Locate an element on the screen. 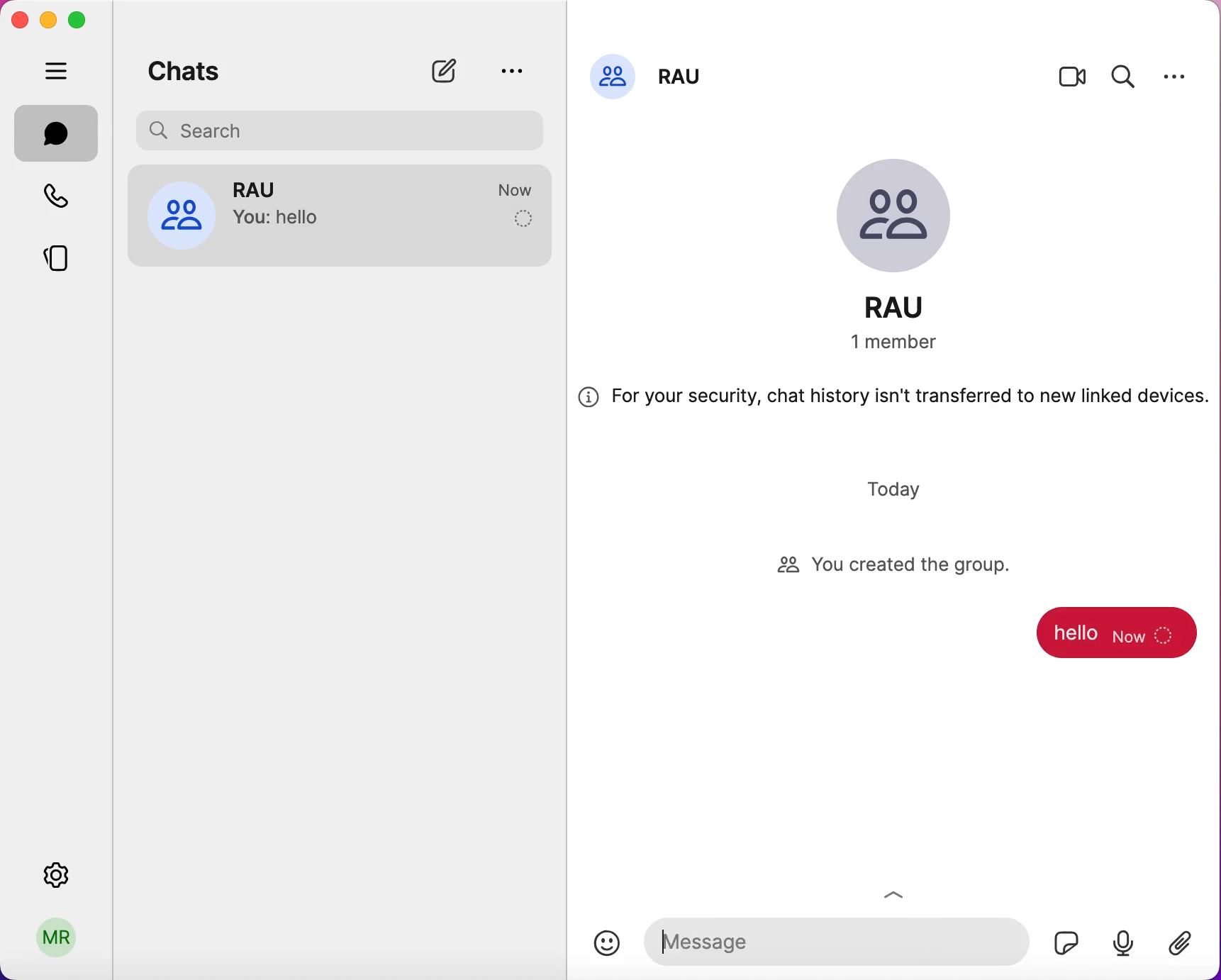  group name is located at coordinates (684, 72).